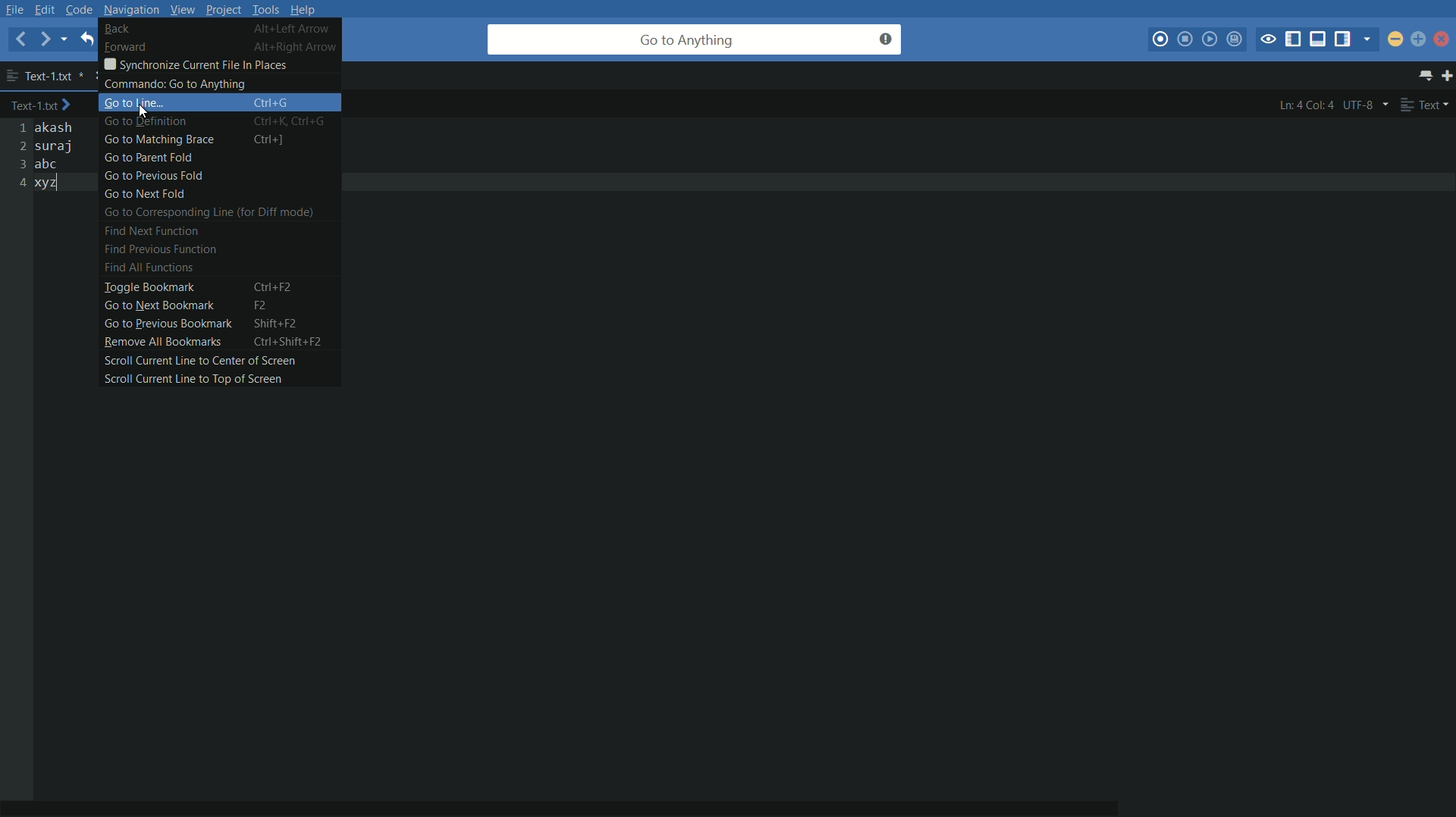 The image size is (1456, 817). What do you see at coordinates (46, 40) in the screenshot?
I see `forward` at bounding box center [46, 40].